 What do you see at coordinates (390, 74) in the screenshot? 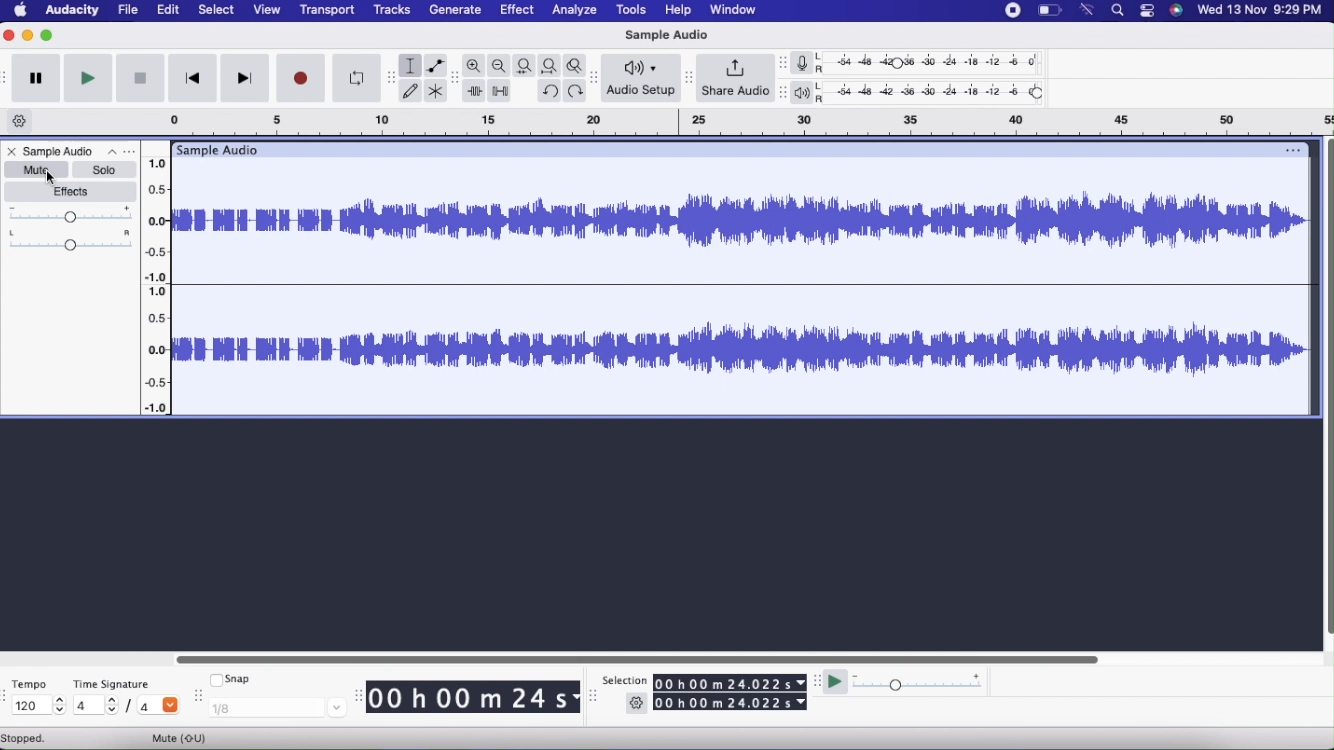
I see `Adjust` at bounding box center [390, 74].